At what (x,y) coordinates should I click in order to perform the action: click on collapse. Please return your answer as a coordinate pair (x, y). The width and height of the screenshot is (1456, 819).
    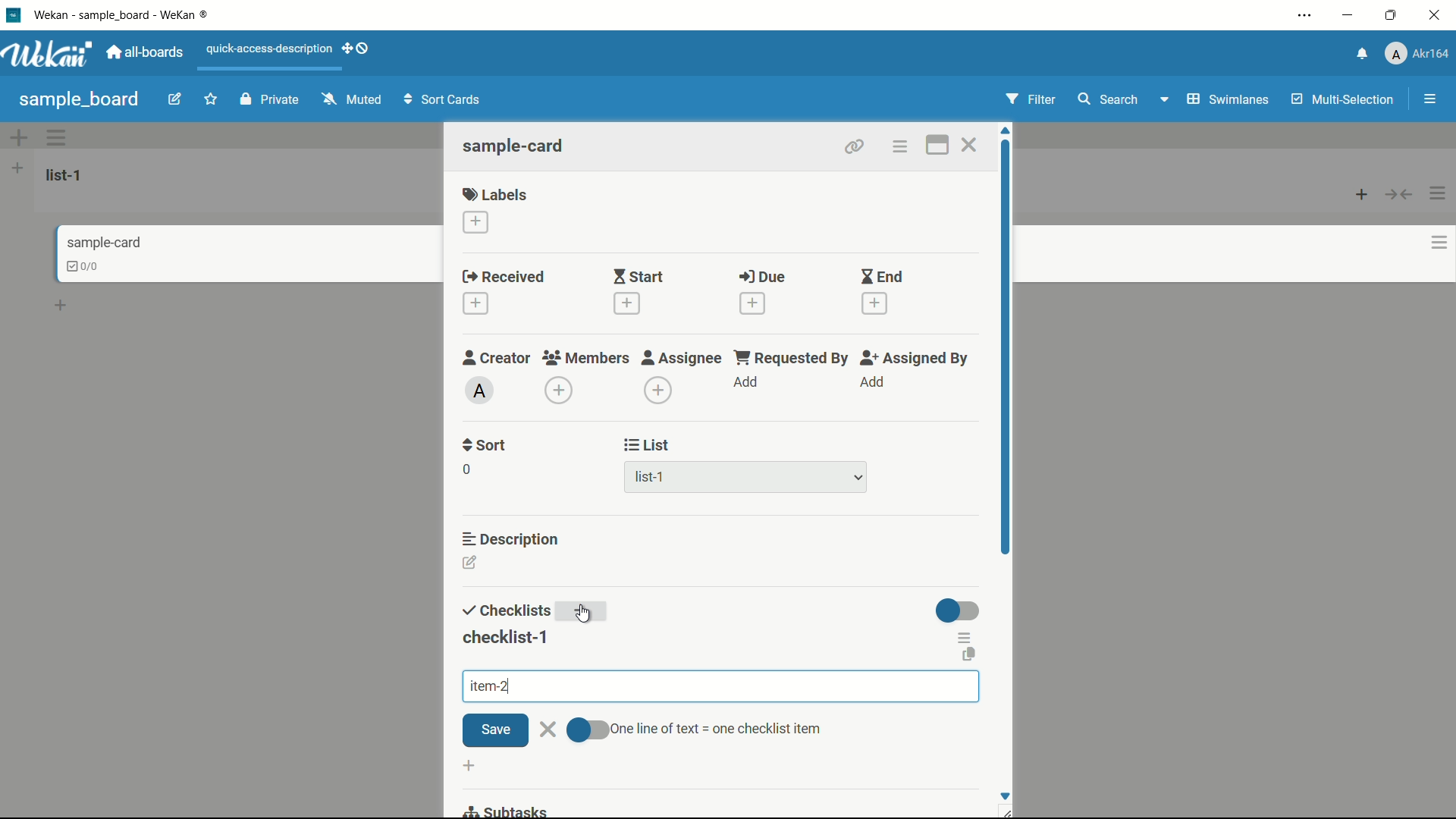
    Looking at the image, I should click on (1400, 194).